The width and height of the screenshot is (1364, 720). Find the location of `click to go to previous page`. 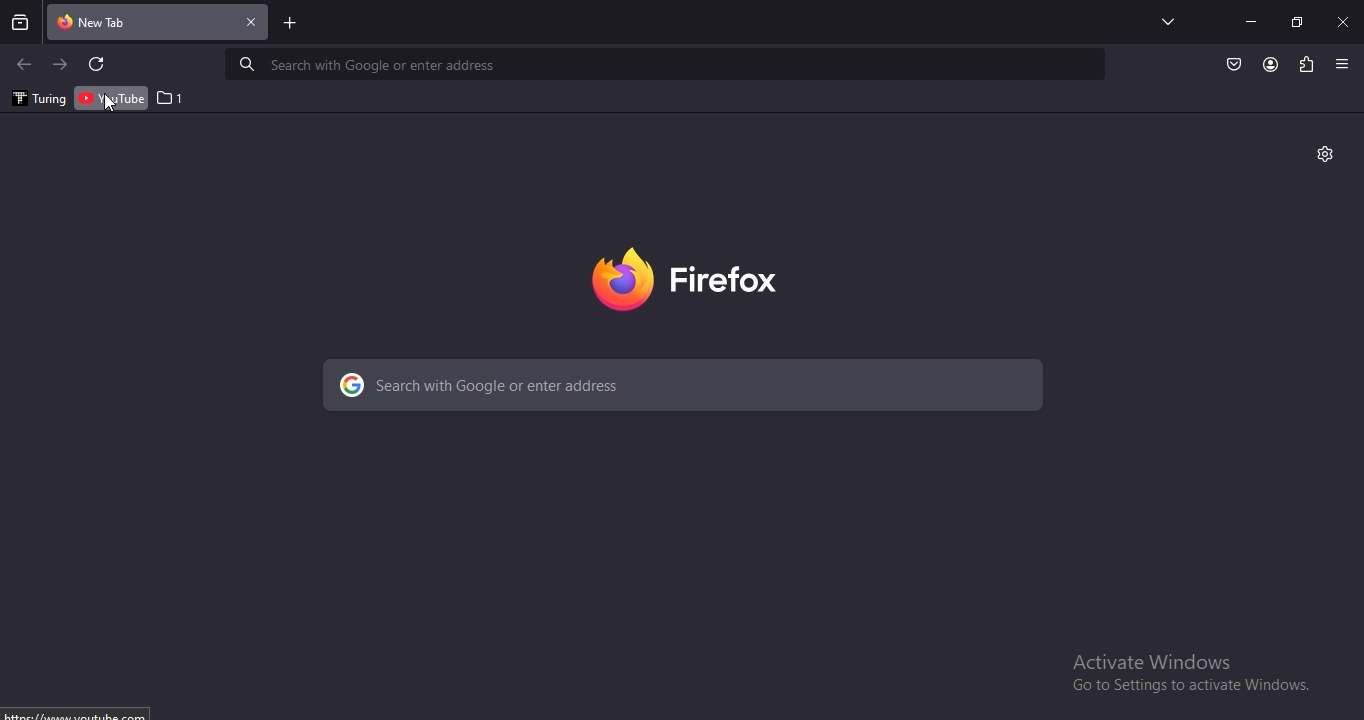

click to go to previous page is located at coordinates (23, 65).